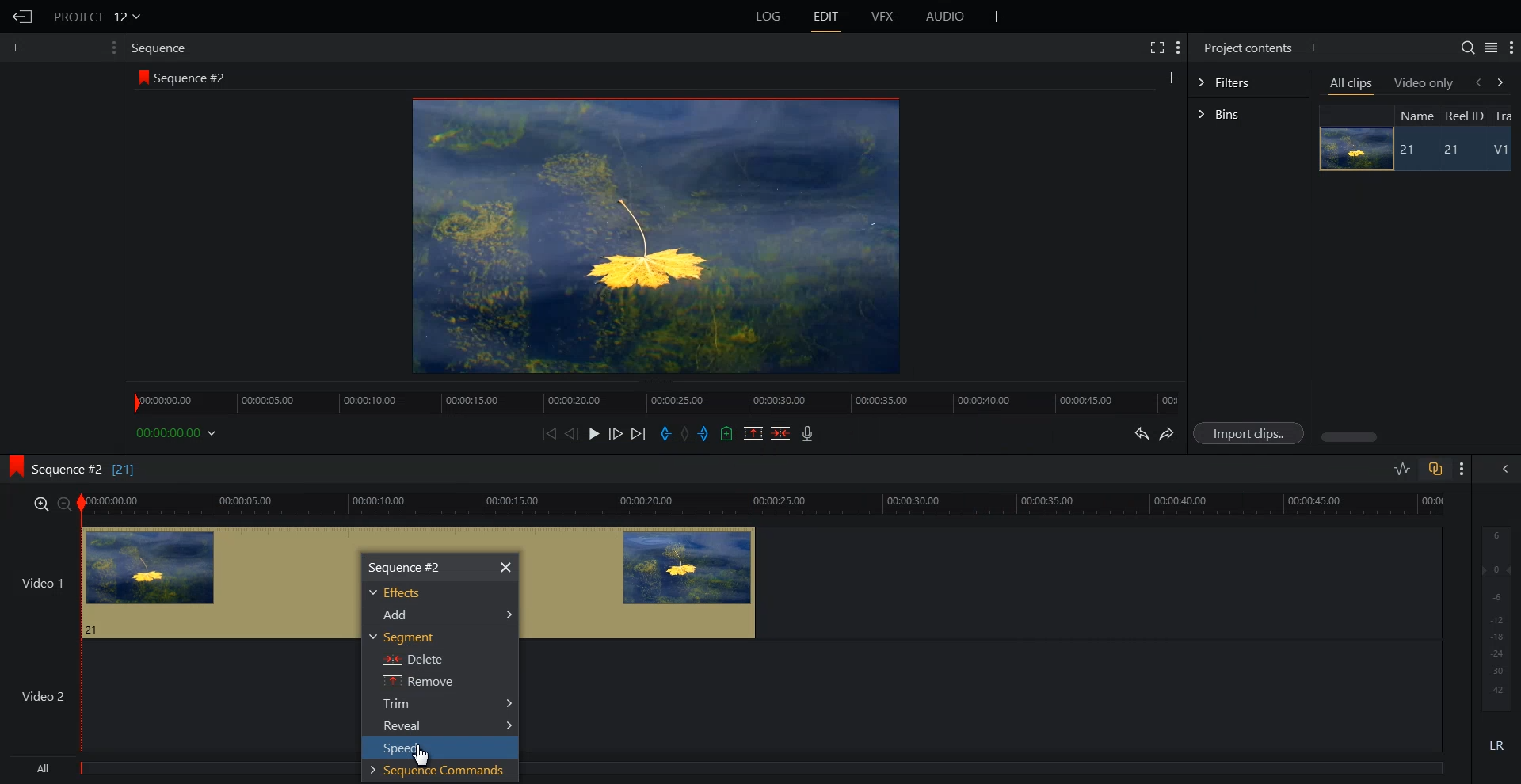 This screenshot has height=784, width=1521. What do you see at coordinates (1463, 116) in the screenshot?
I see `Reel ID` at bounding box center [1463, 116].